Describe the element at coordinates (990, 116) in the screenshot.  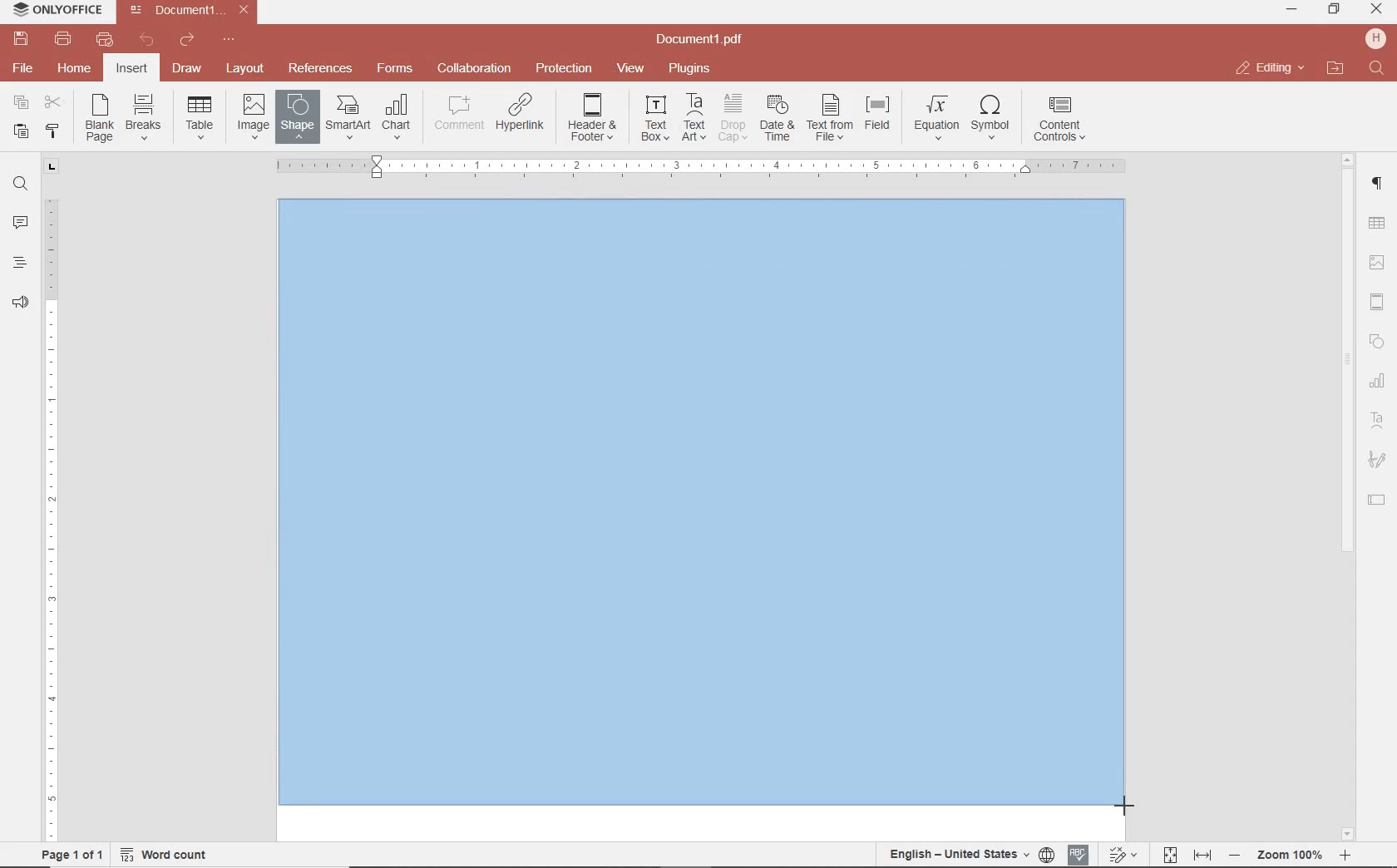
I see `INSERT SYMBOL` at that location.